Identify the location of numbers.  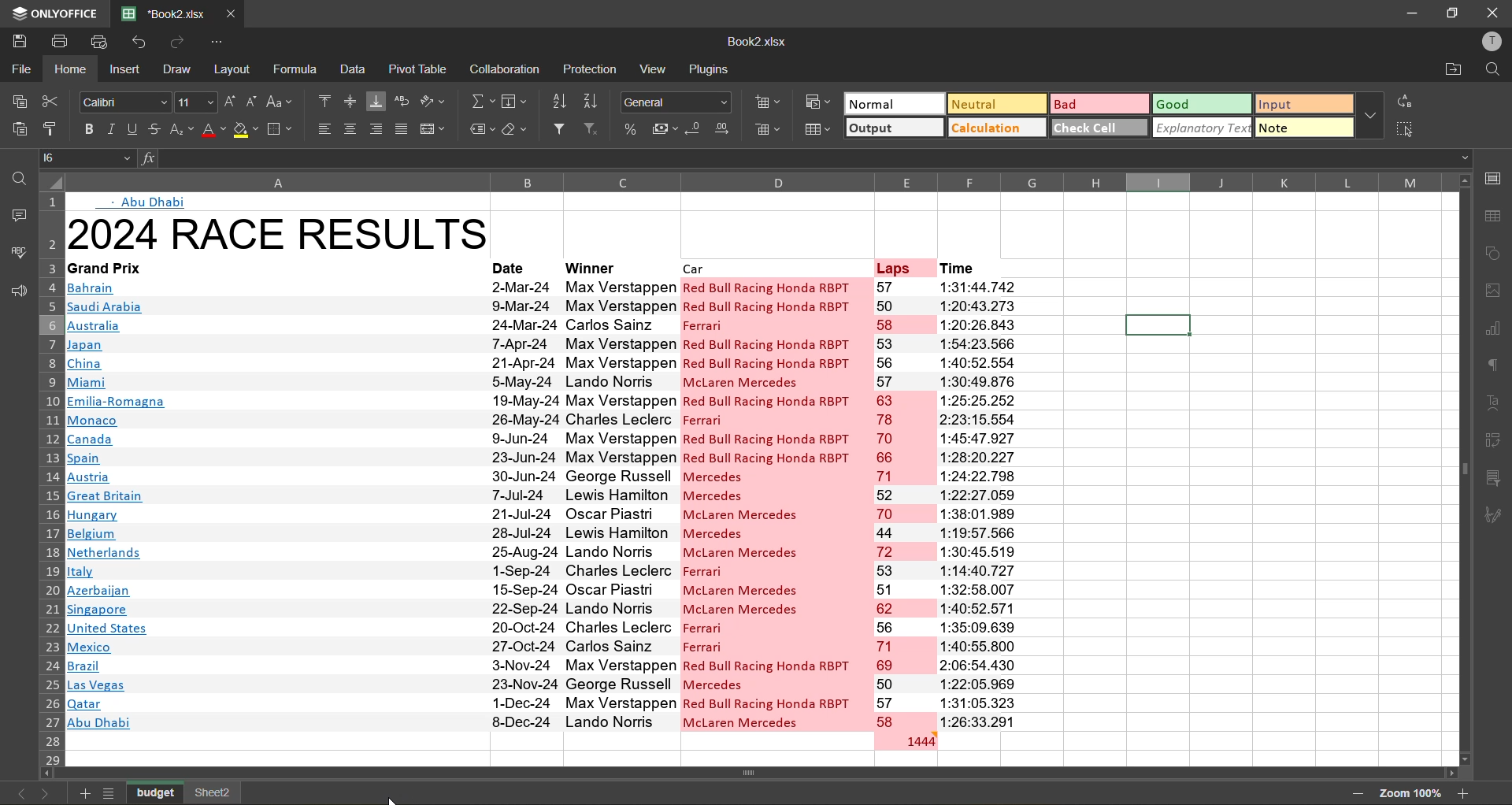
(903, 503).